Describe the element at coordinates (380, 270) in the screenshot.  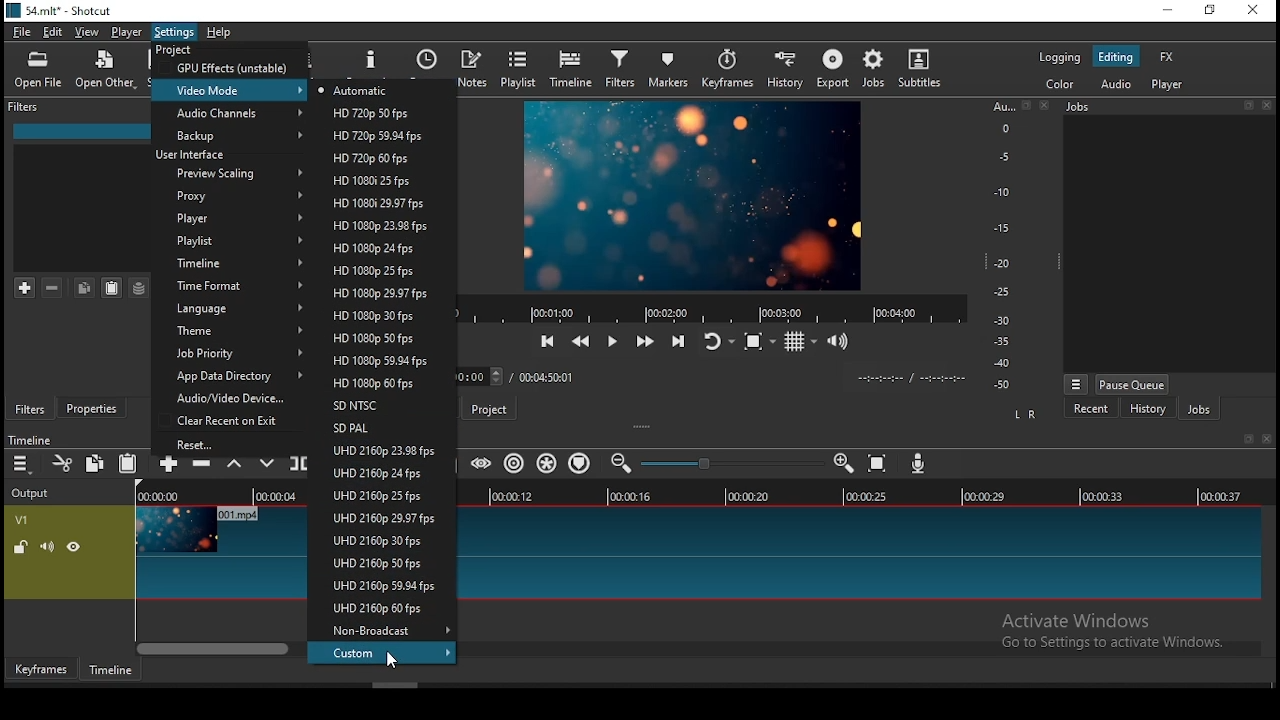
I see `resolution option` at that location.